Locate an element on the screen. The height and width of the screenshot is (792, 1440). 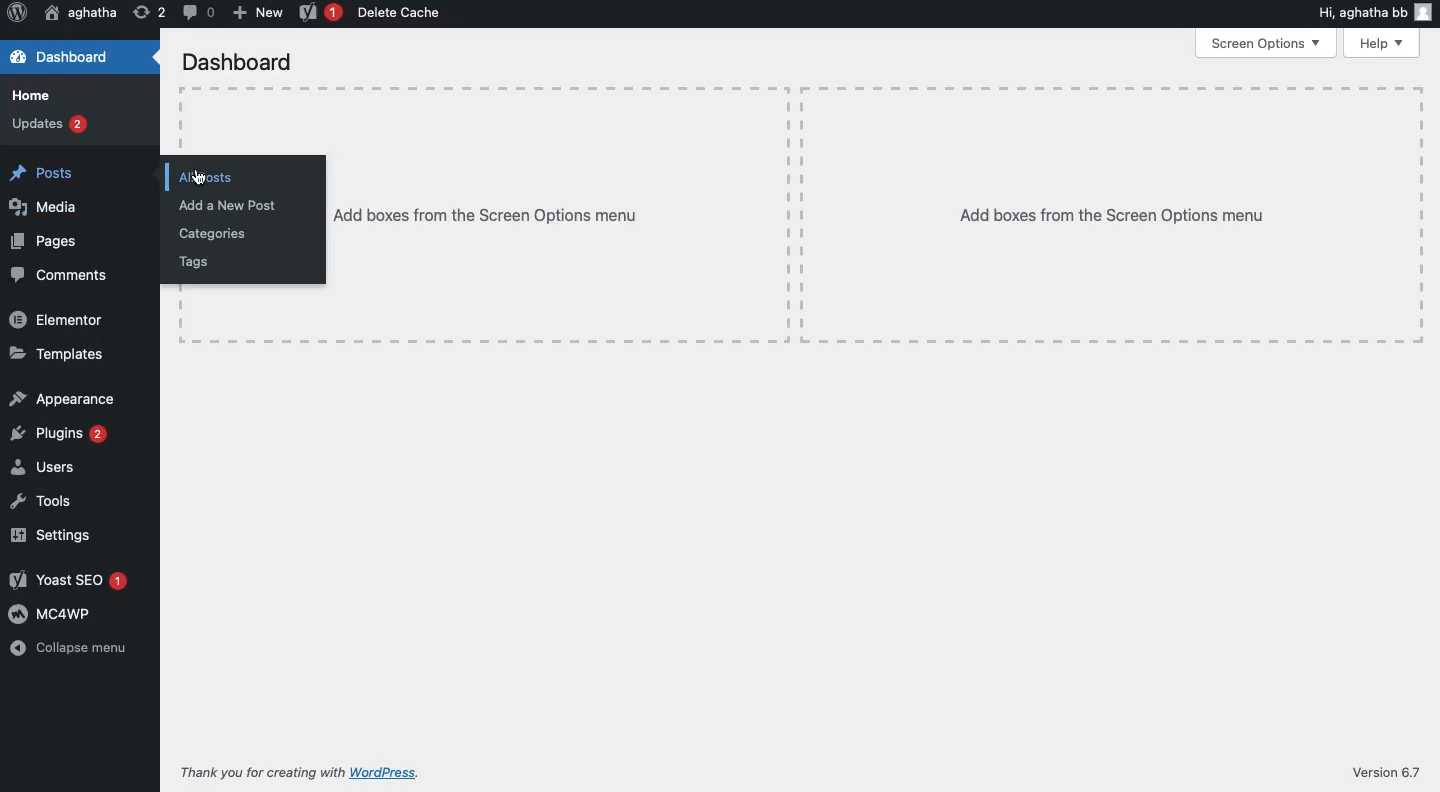
Return is located at coordinates (147, 12).